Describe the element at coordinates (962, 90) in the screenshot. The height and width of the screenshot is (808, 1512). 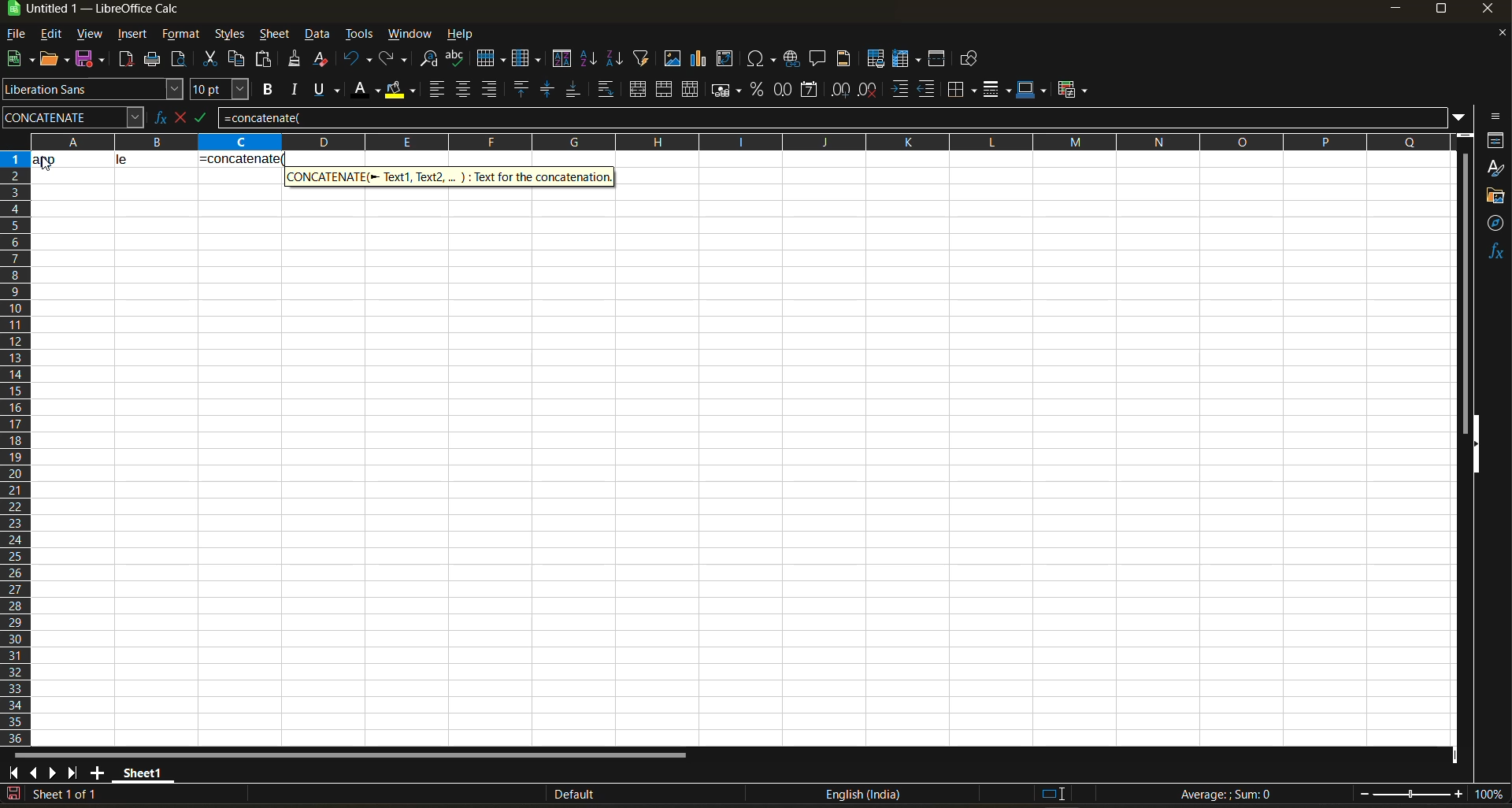
I see `borders` at that location.